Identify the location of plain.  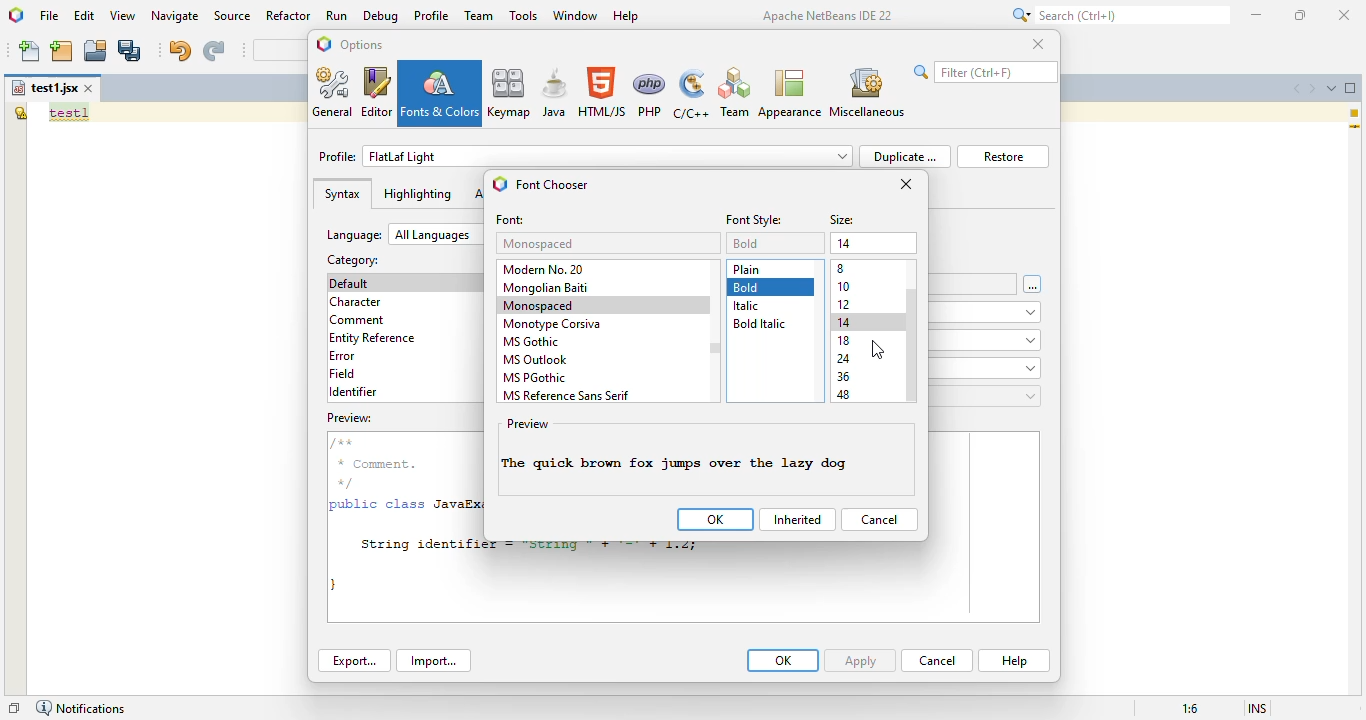
(746, 243).